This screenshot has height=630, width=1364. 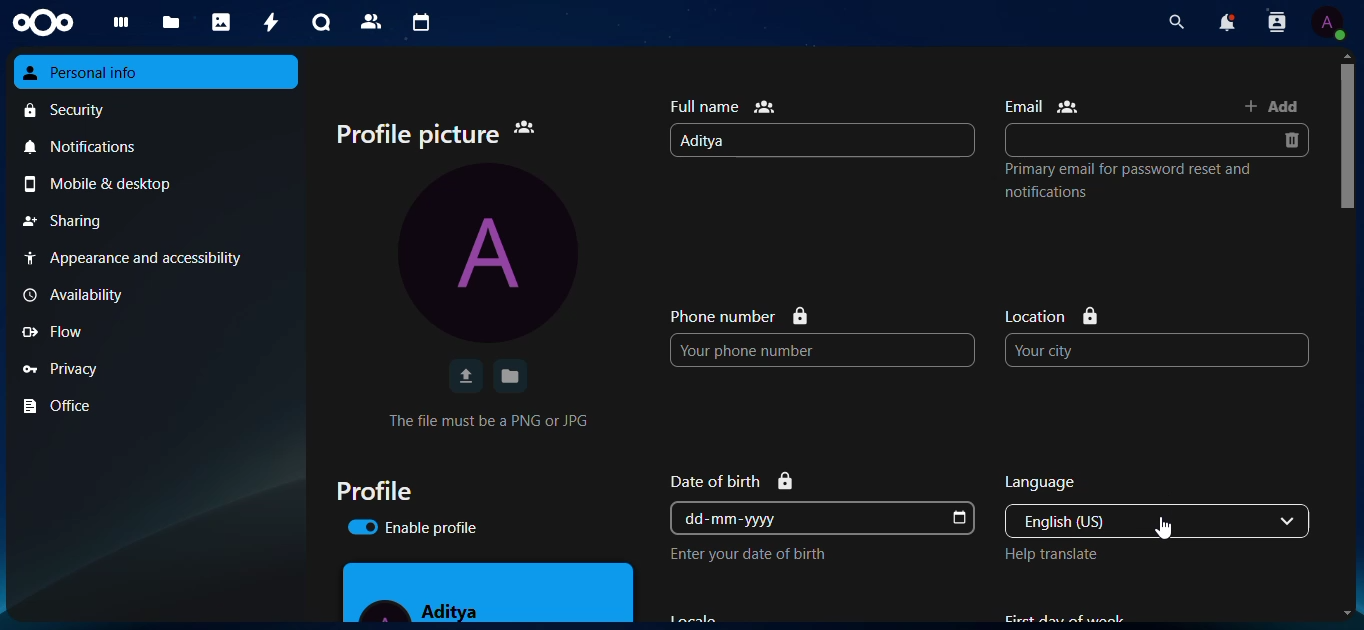 I want to click on talk, so click(x=319, y=22).